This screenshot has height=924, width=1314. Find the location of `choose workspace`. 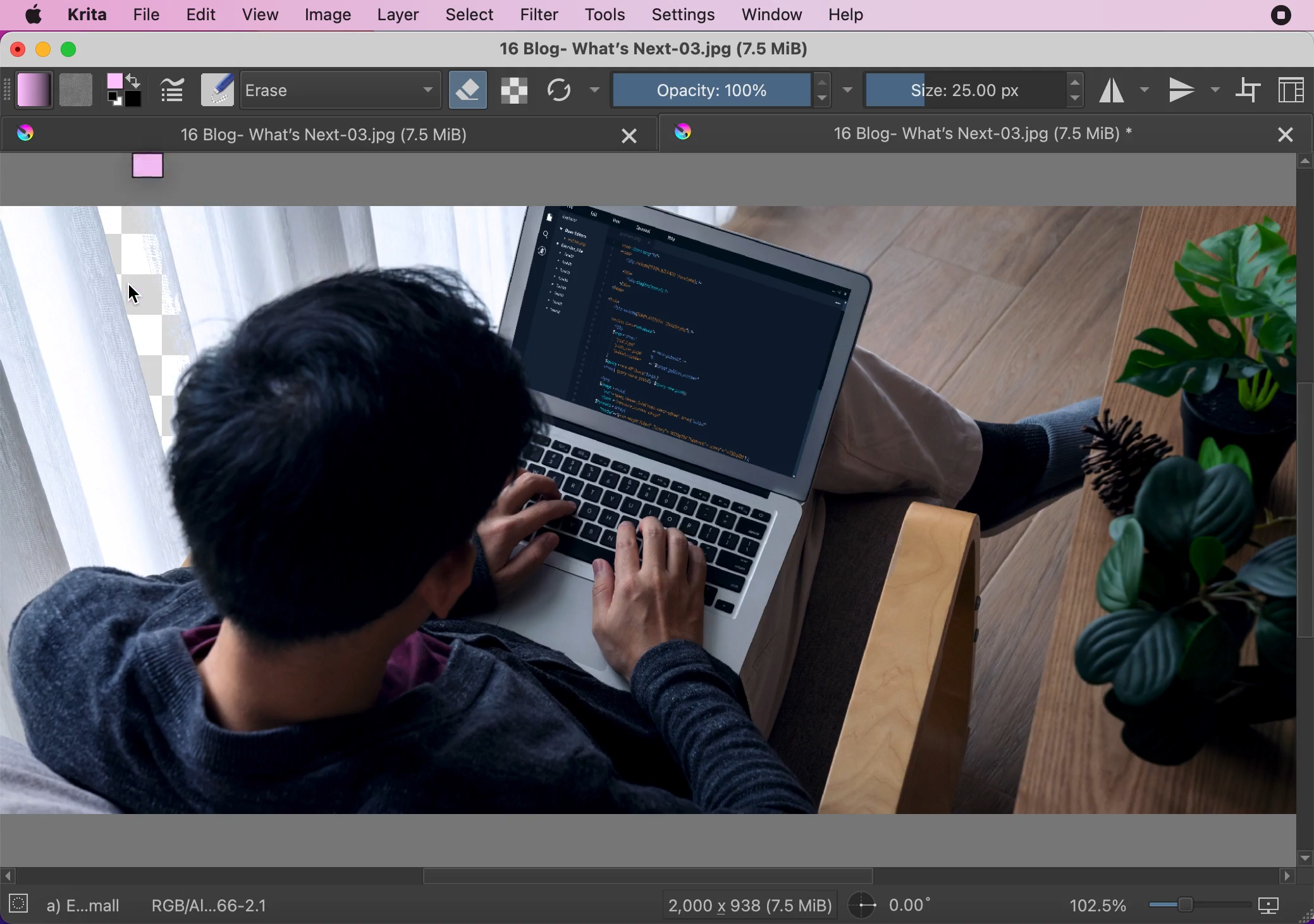

choose workspace is located at coordinates (1294, 89).